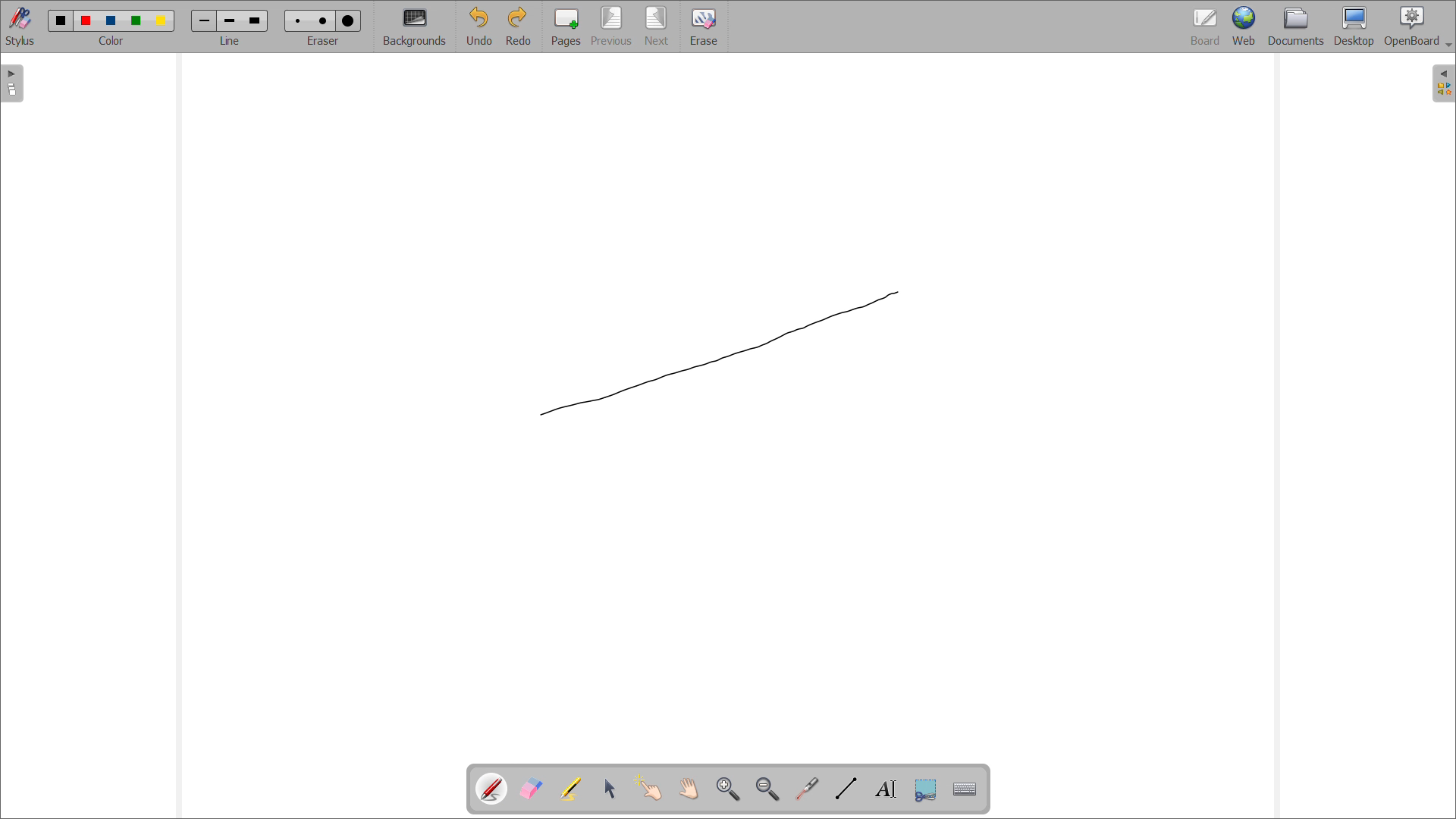 Image resolution: width=1456 pixels, height=819 pixels. I want to click on interact with items, so click(650, 788).